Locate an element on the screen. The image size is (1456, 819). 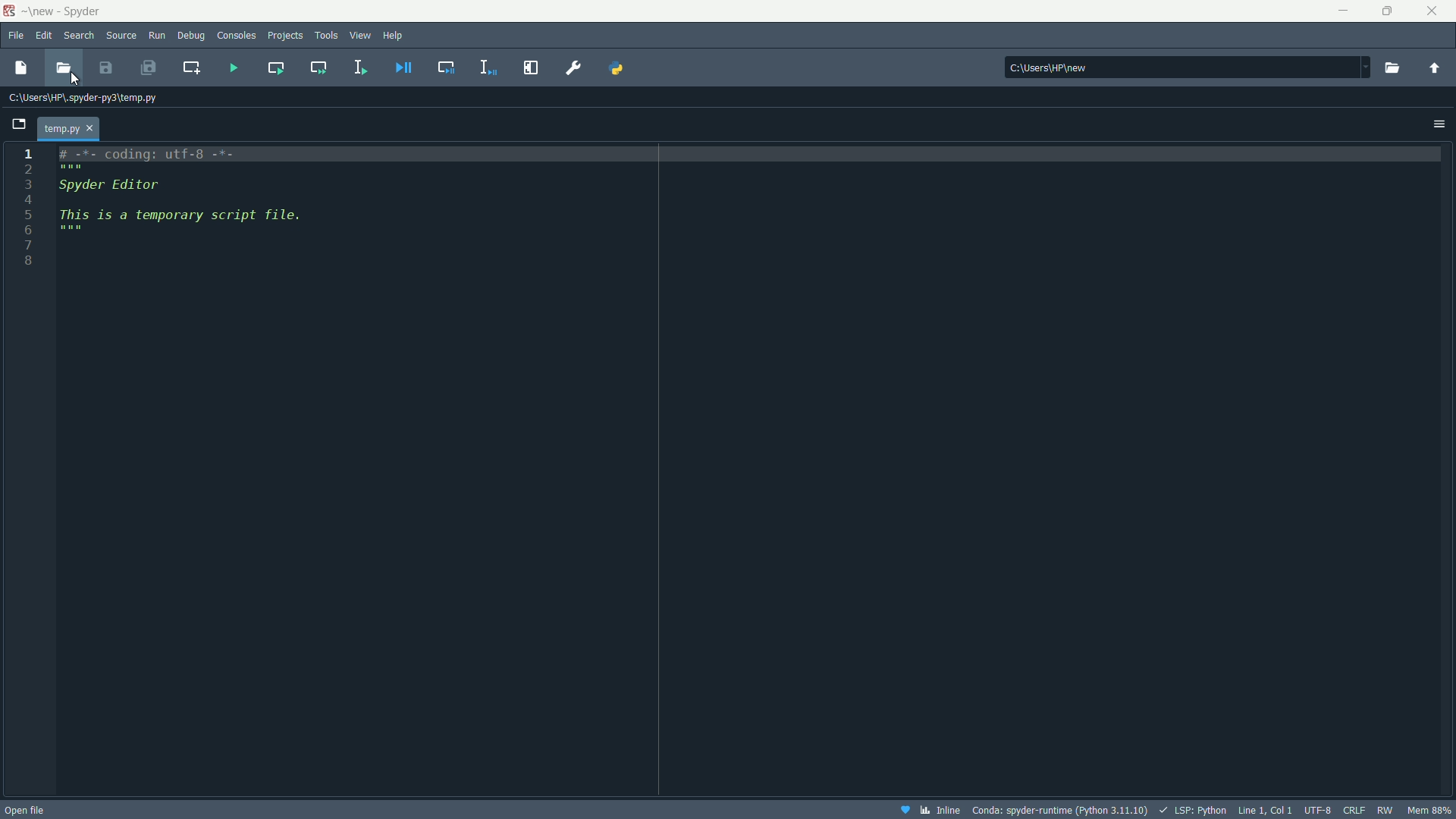
Run current cell is located at coordinates (275, 68).